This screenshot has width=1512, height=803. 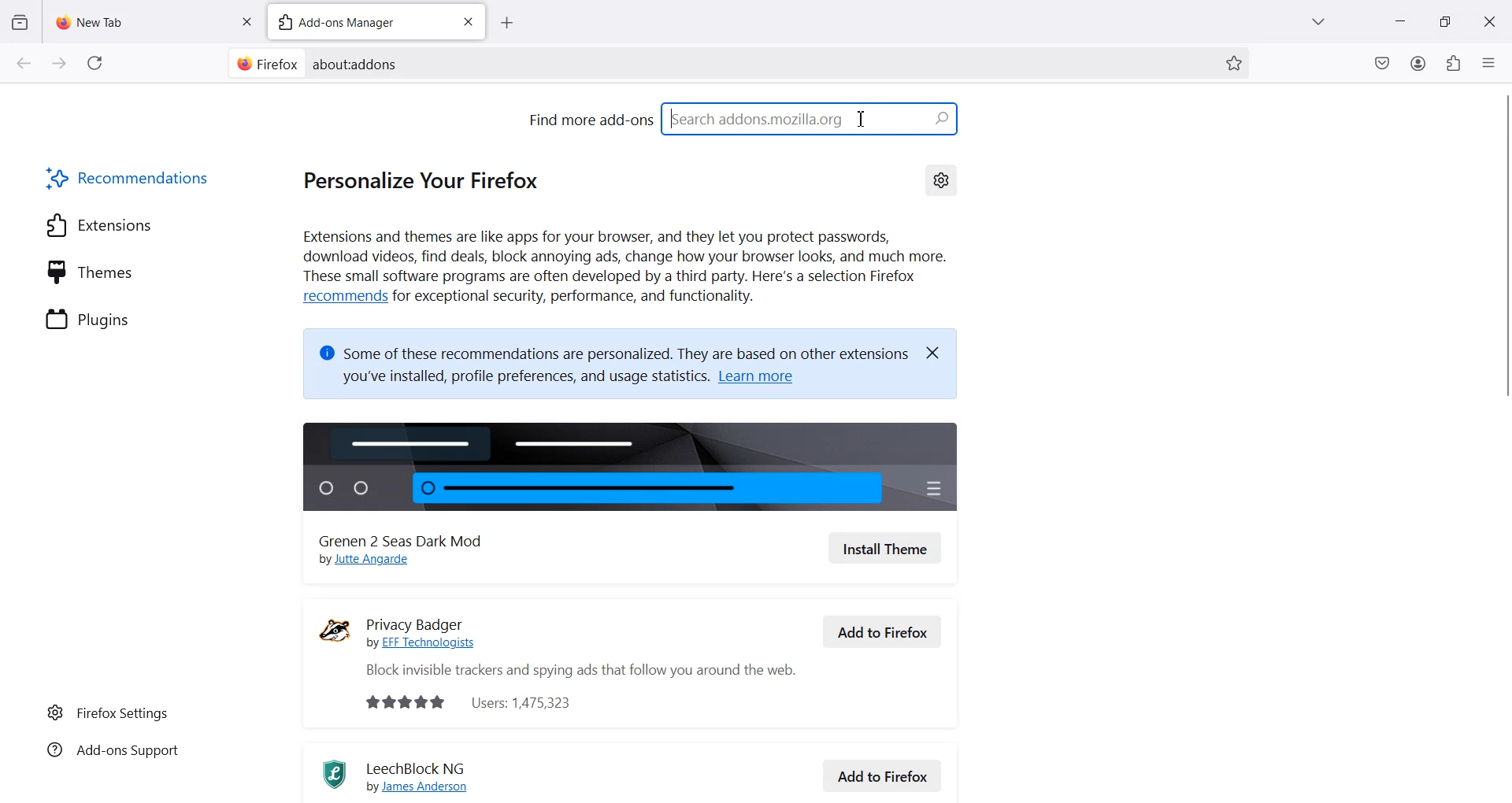 What do you see at coordinates (1503, 457) in the screenshot?
I see `Vertical scroll bar` at bounding box center [1503, 457].